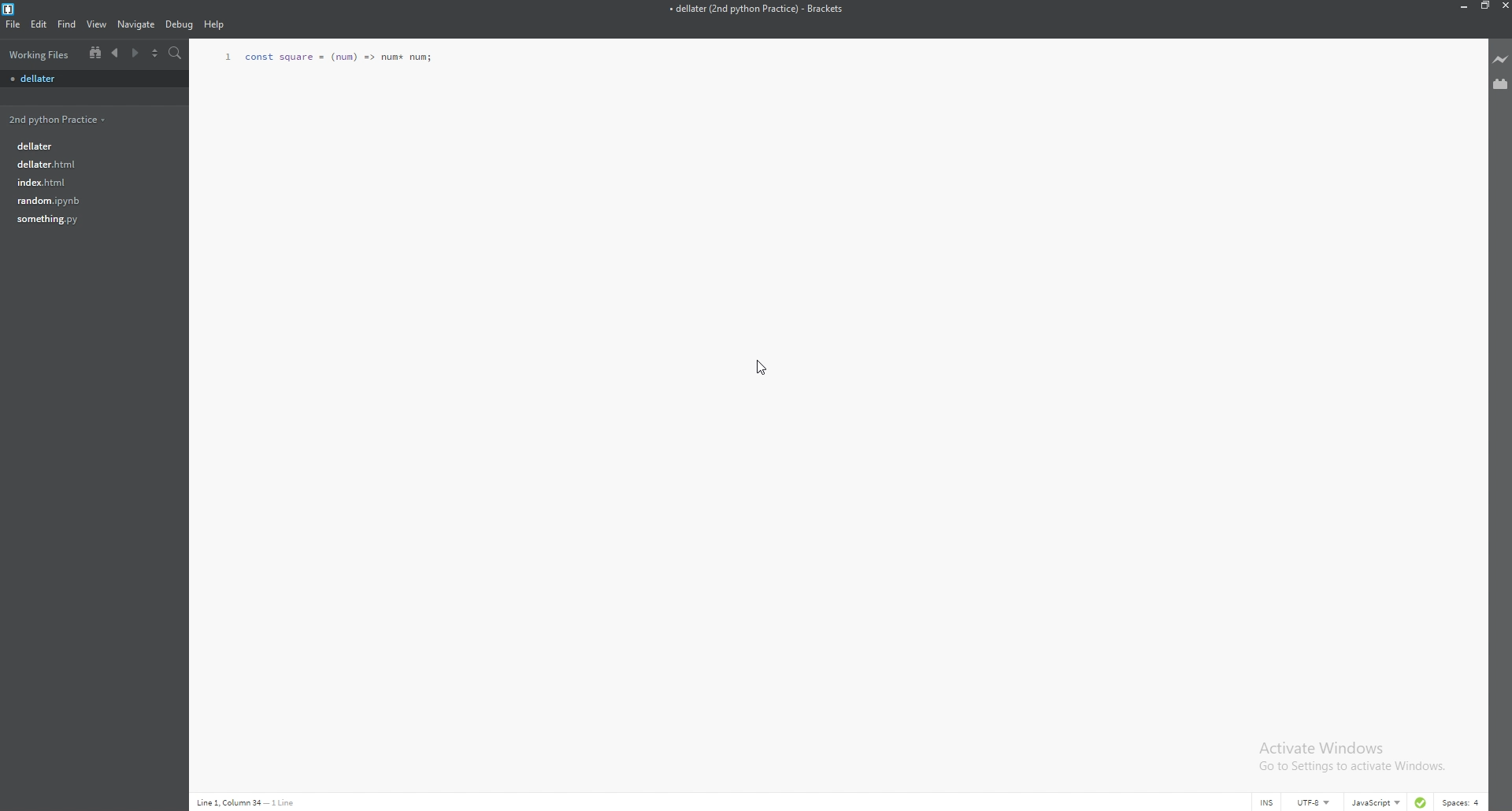 This screenshot has width=1512, height=811. I want to click on Help, so click(212, 24).